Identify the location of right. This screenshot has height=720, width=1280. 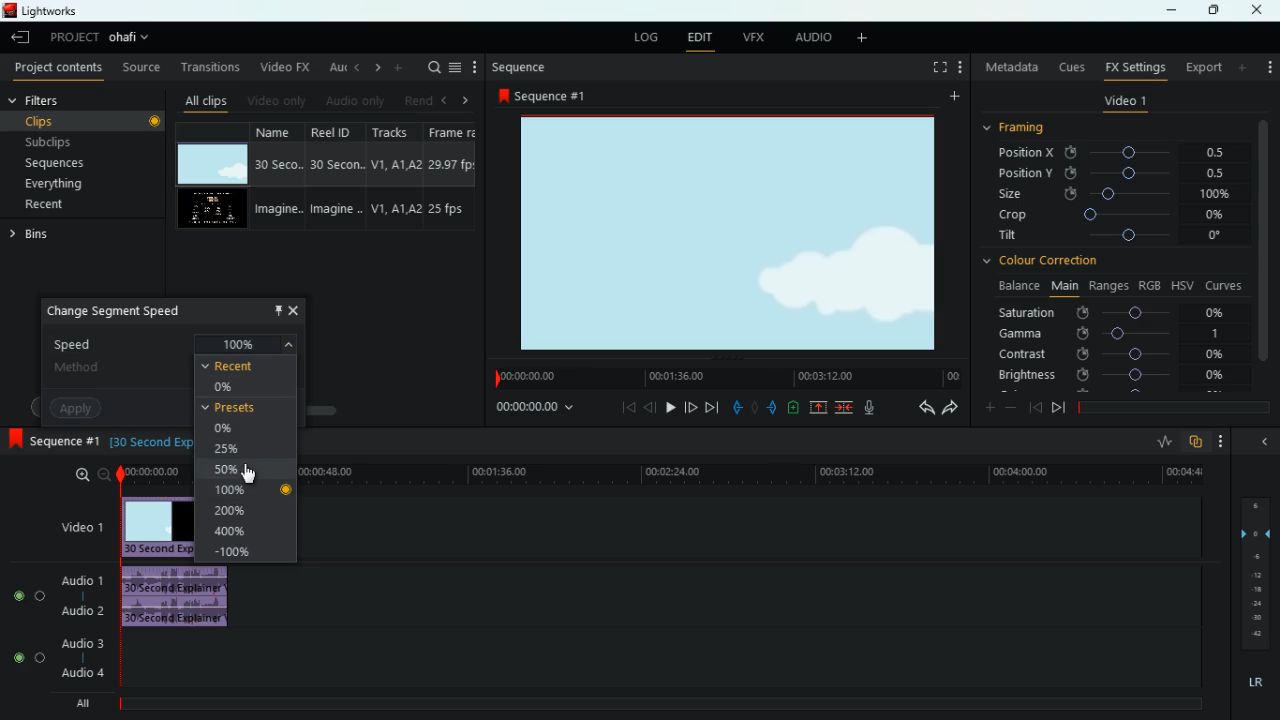
(374, 67).